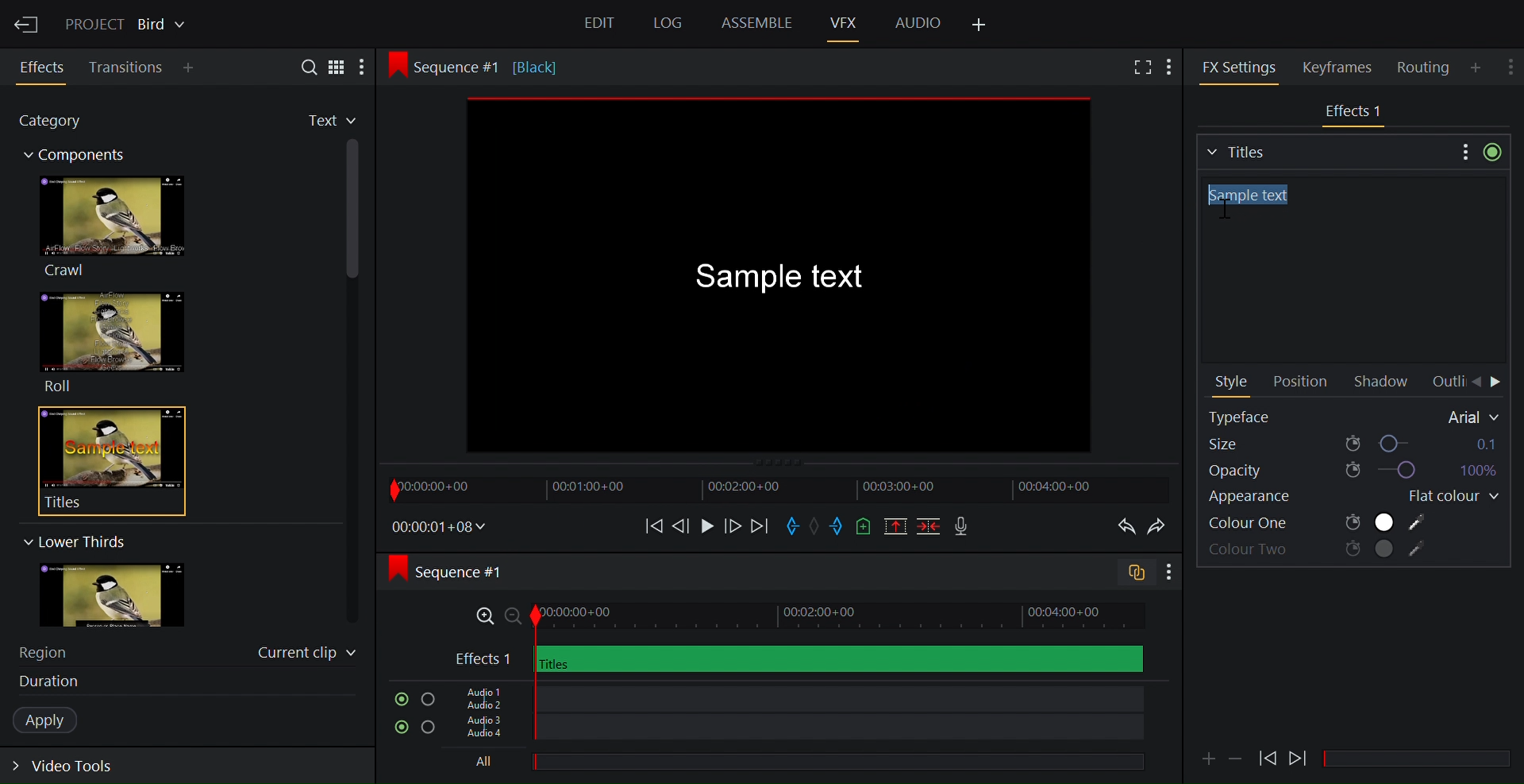 This screenshot has height=784, width=1524. I want to click on Style, so click(1233, 383).